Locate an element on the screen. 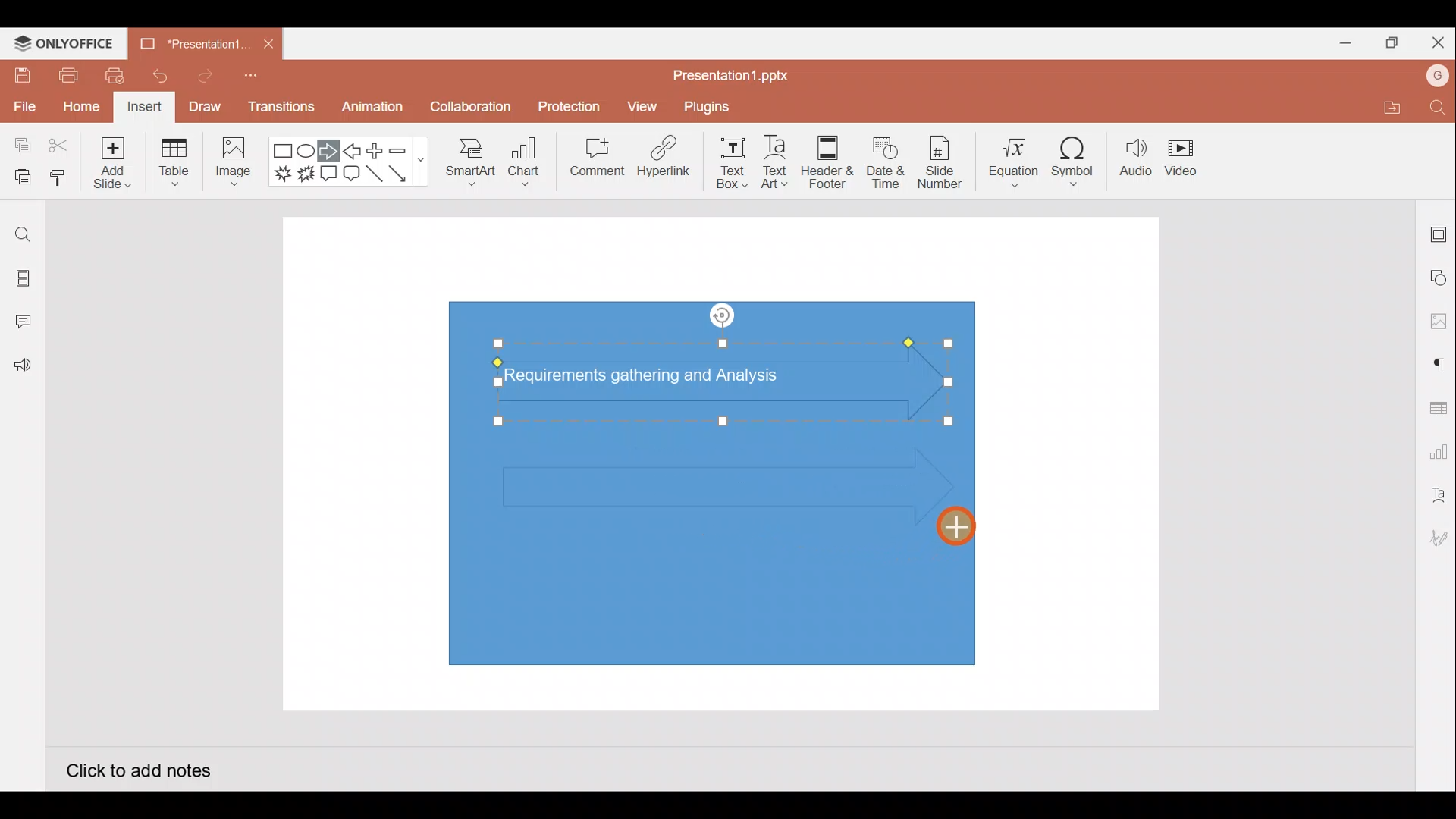 The width and height of the screenshot is (1456, 819). Print file is located at coordinates (67, 74).